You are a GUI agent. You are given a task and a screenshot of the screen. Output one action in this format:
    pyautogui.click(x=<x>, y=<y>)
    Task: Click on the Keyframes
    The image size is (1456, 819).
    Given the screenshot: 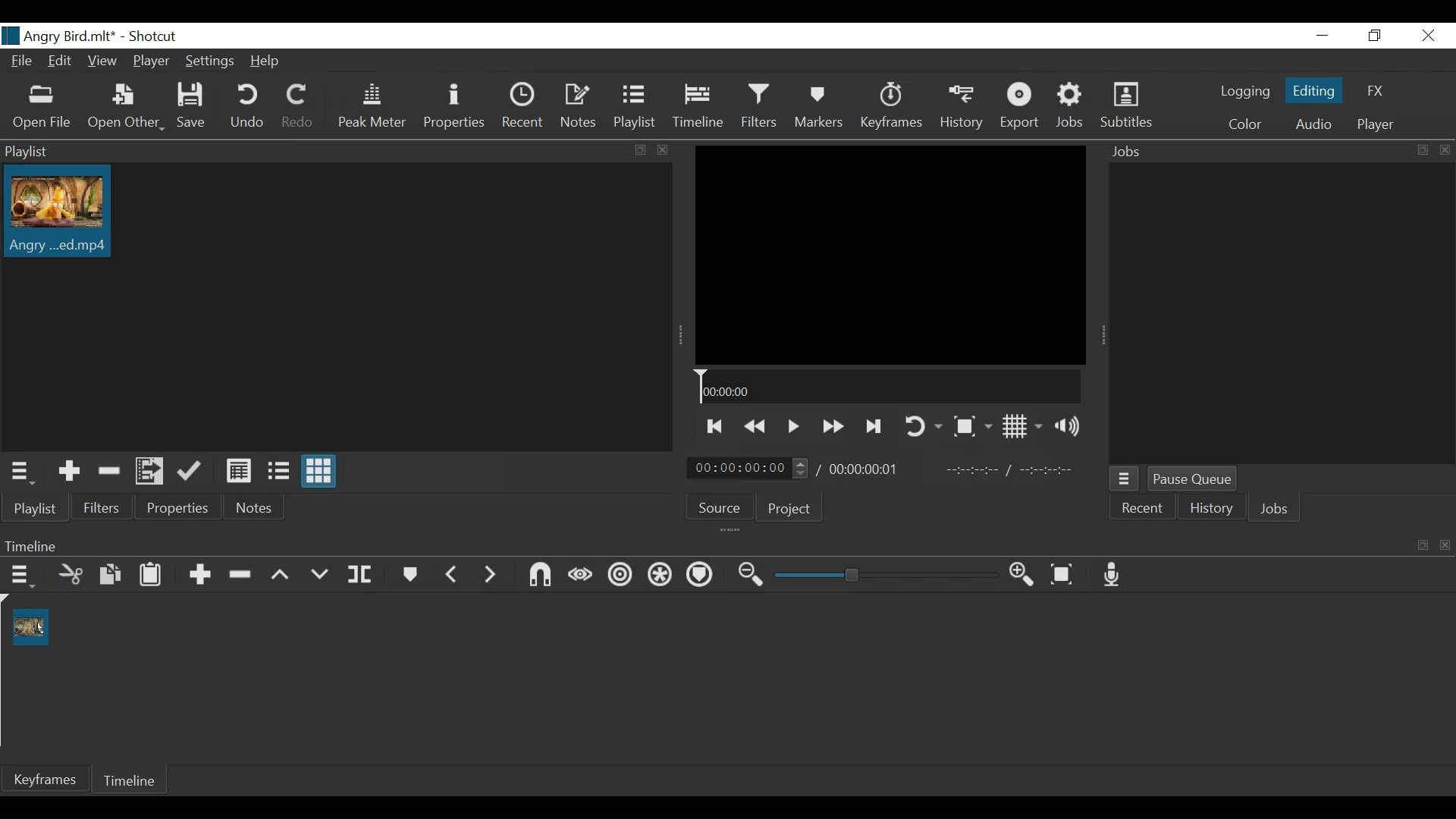 What is the action you would take?
    pyautogui.click(x=891, y=106)
    